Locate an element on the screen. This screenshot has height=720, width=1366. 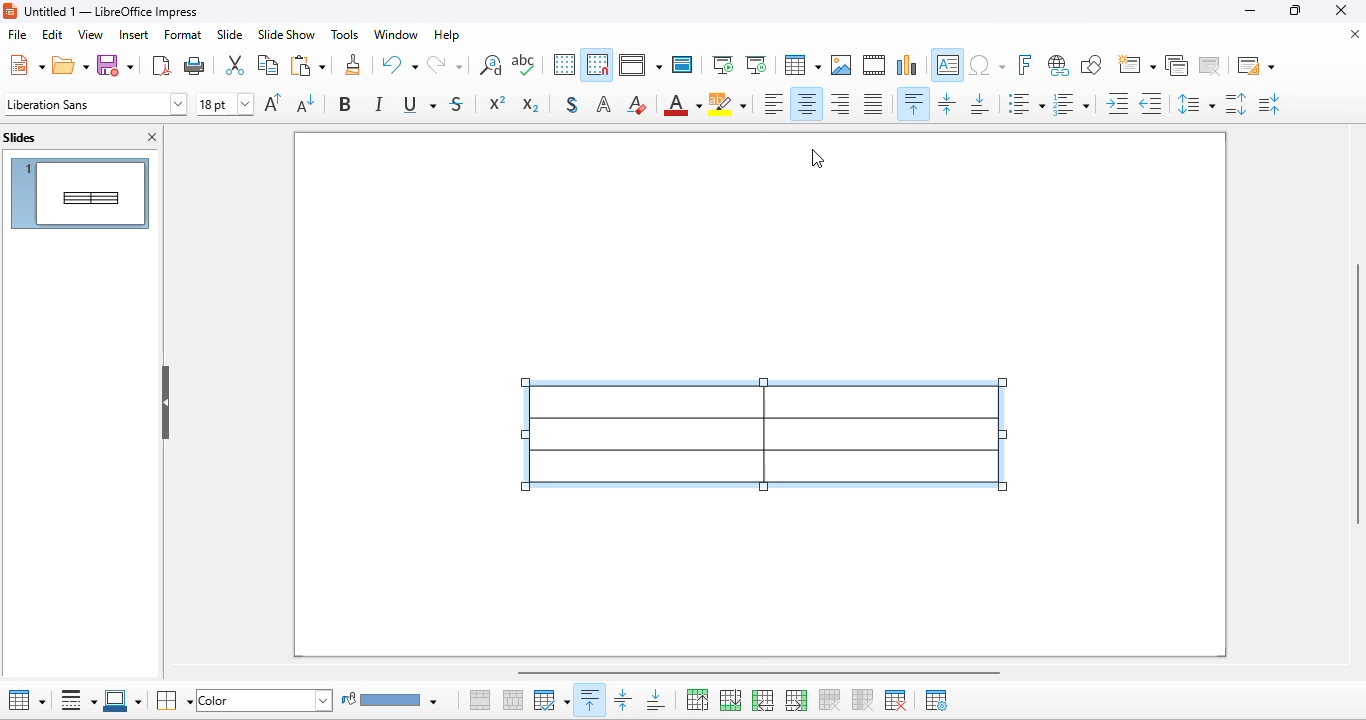
font color is located at coordinates (682, 105).